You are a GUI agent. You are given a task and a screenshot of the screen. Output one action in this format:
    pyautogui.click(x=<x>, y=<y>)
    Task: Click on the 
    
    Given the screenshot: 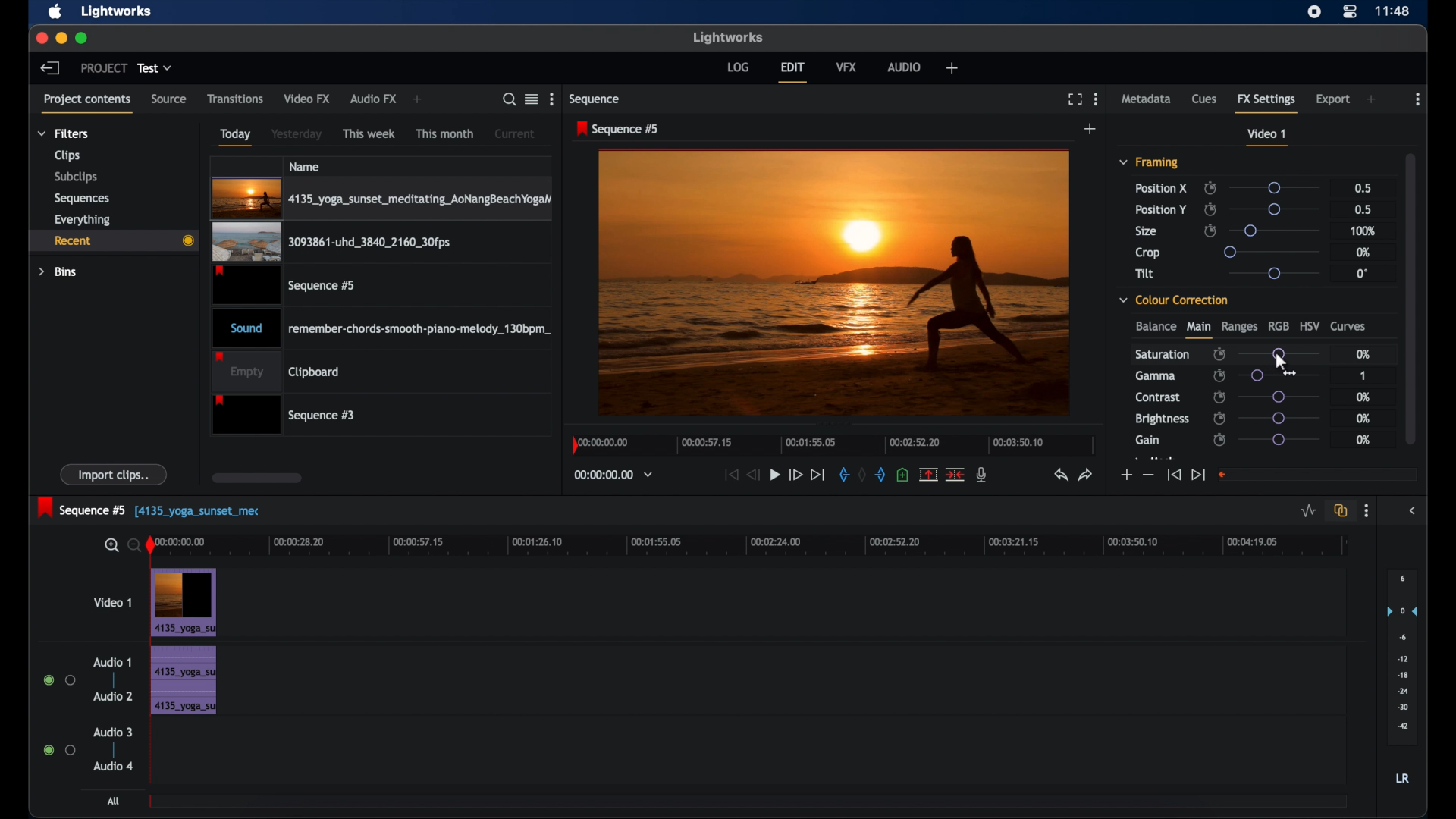 What is the action you would take?
    pyautogui.click(x=1200, y=330)
    